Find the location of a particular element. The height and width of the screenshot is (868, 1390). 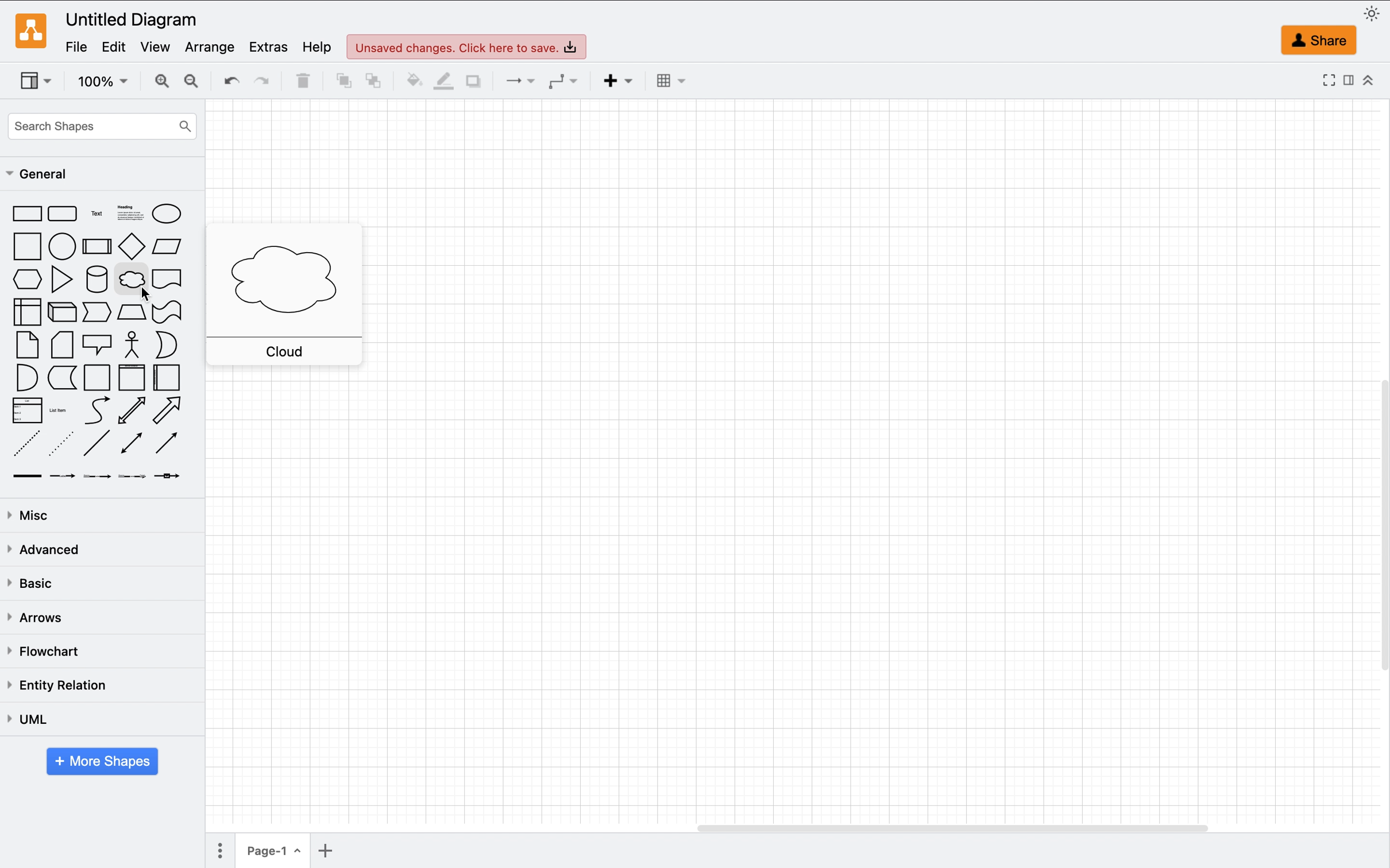

circle is located at coordinates (60, 247).